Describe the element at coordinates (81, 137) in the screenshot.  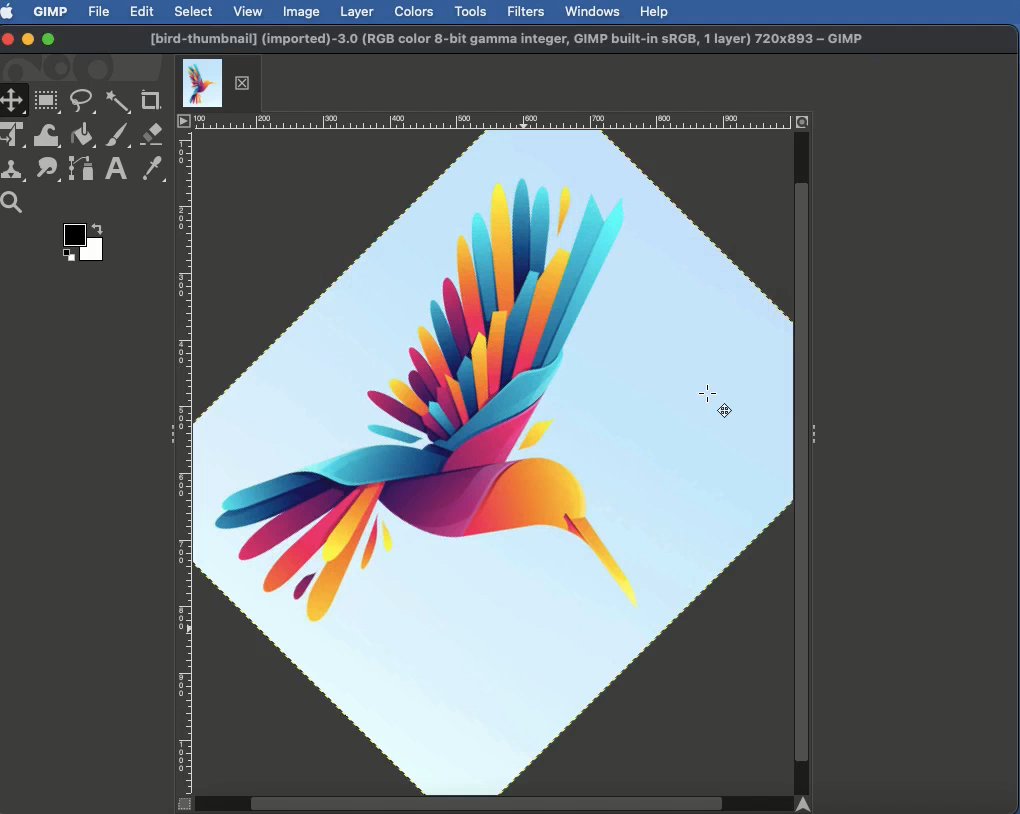
I see `Fill color` at that location.